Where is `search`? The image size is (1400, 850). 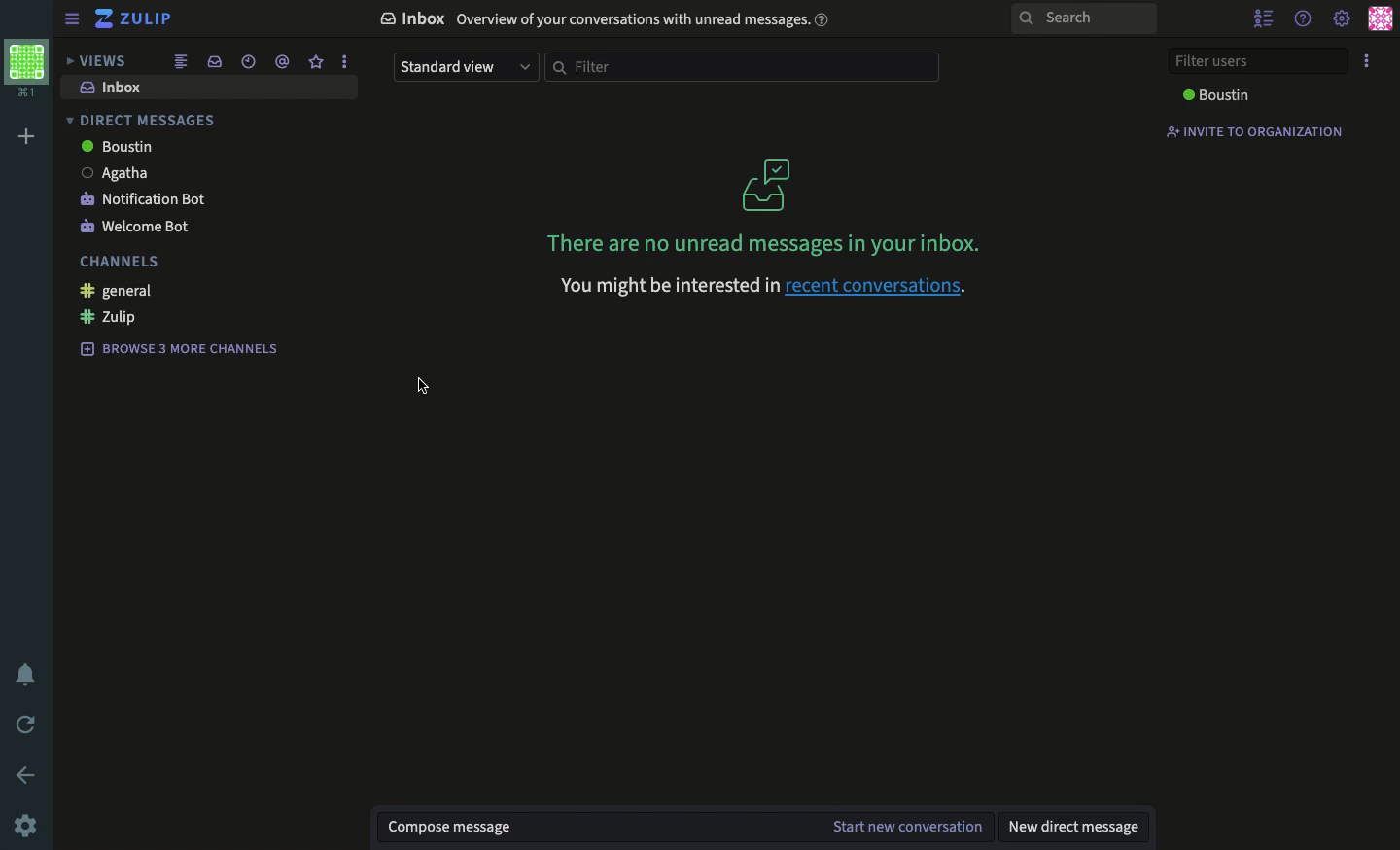
search is located at coordinates (1084, 19).